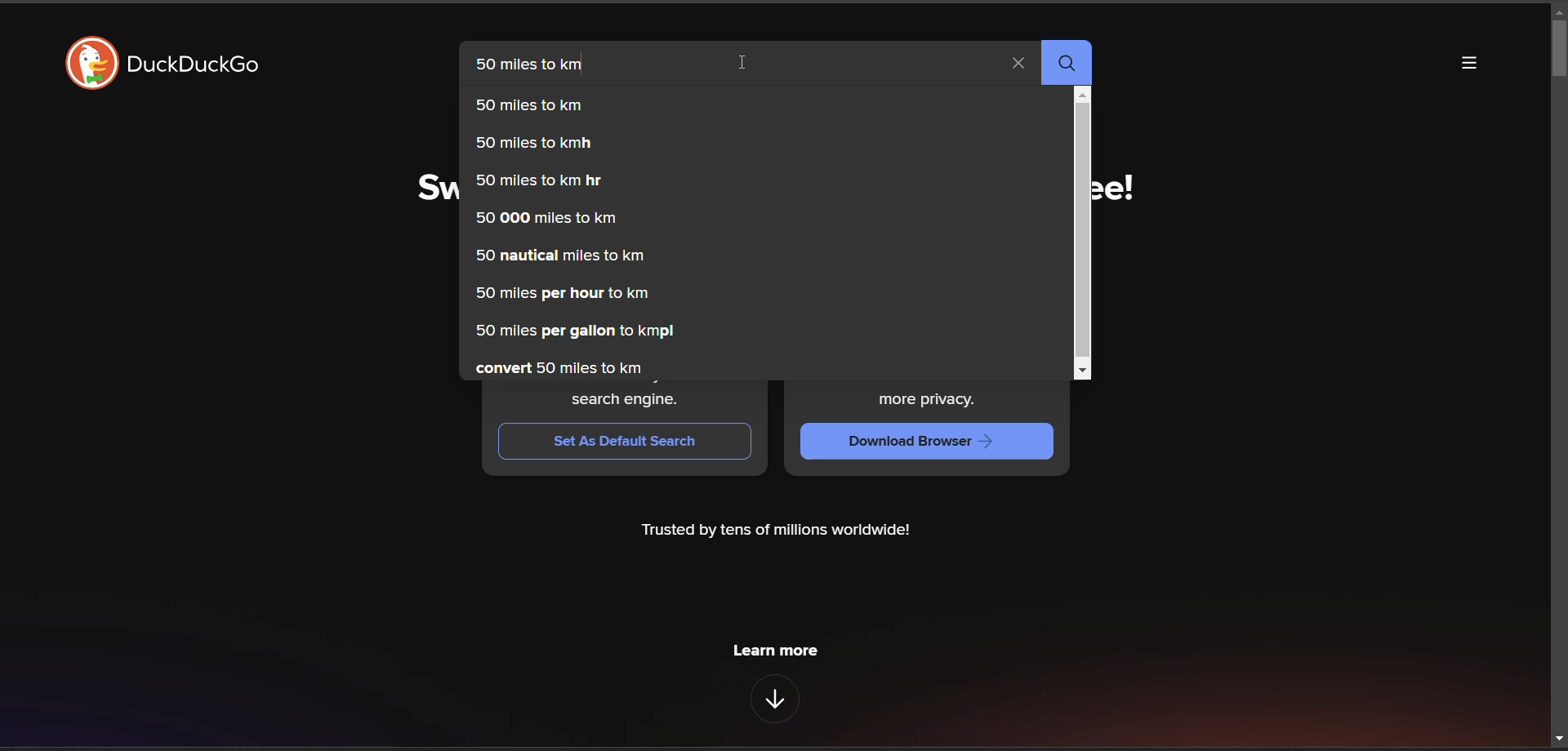 This screenshot has width=1568, height=751. Describe the element at coordinates (778, 533) in the screenshot. I see `Trusted by tens of millions worldwide!` at that location.